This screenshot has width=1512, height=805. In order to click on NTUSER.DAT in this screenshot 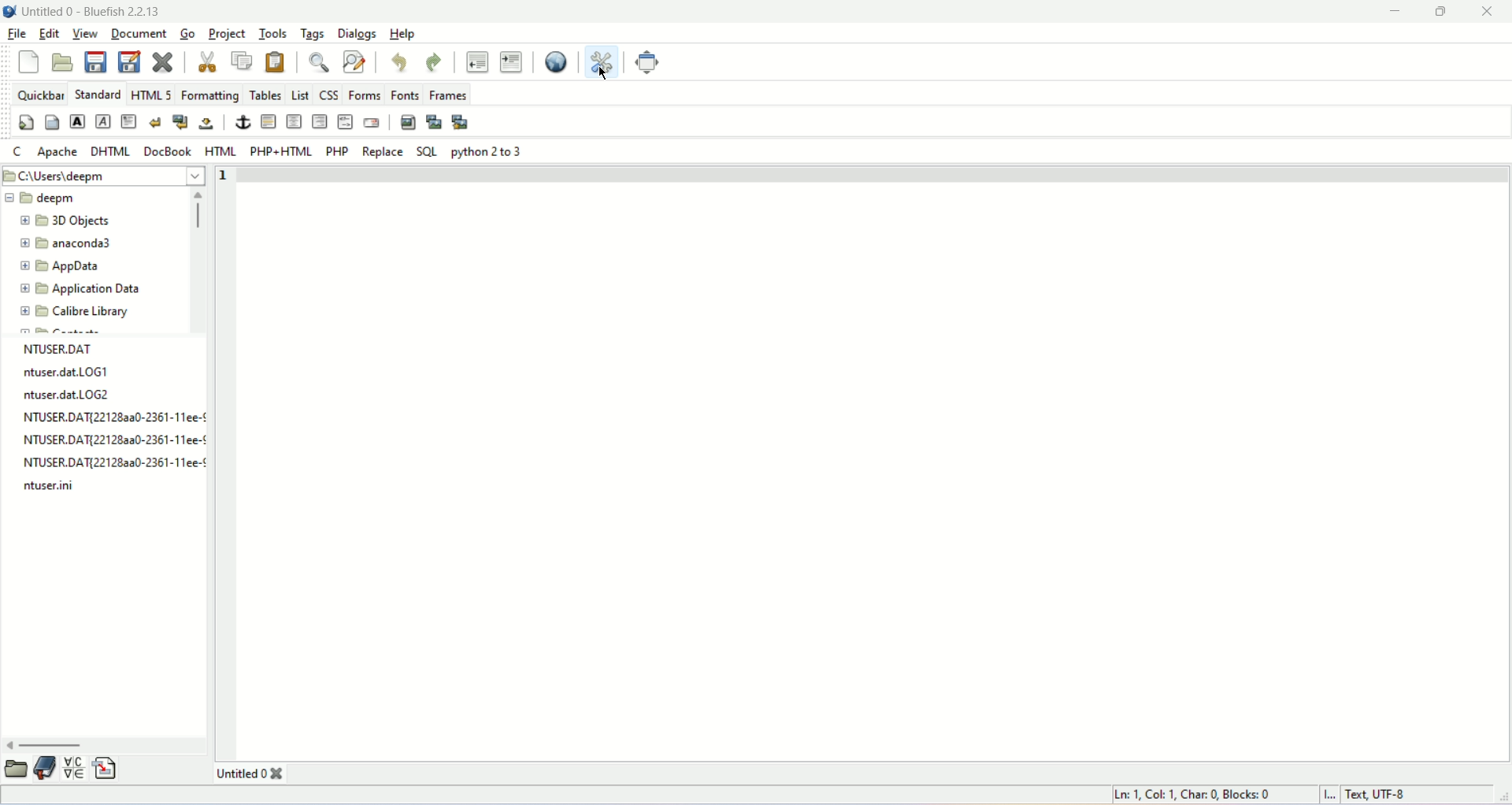, I will do `click(57, 348)`.